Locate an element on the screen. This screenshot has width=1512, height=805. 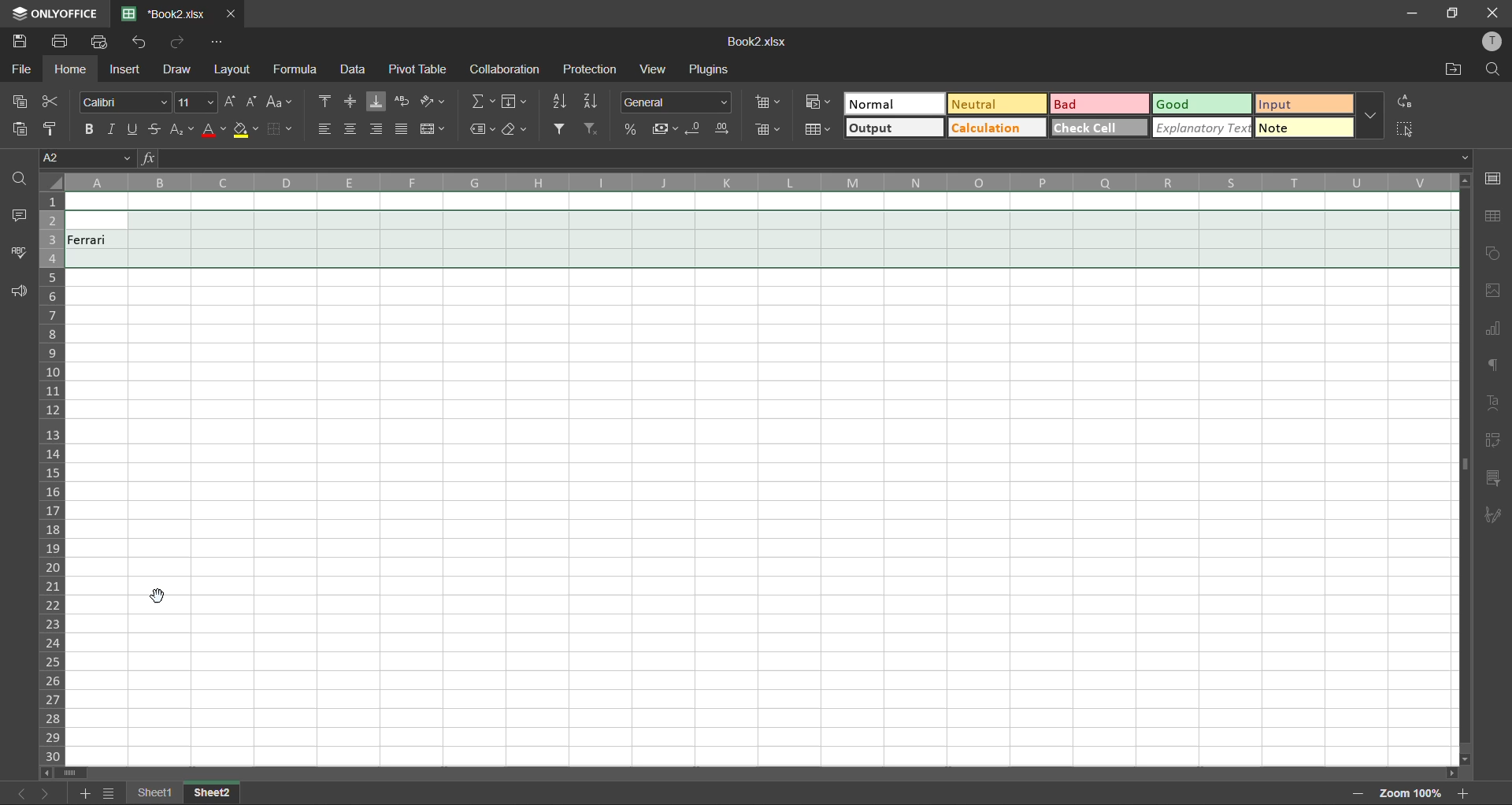
copy is located at coordinates (22, 99).